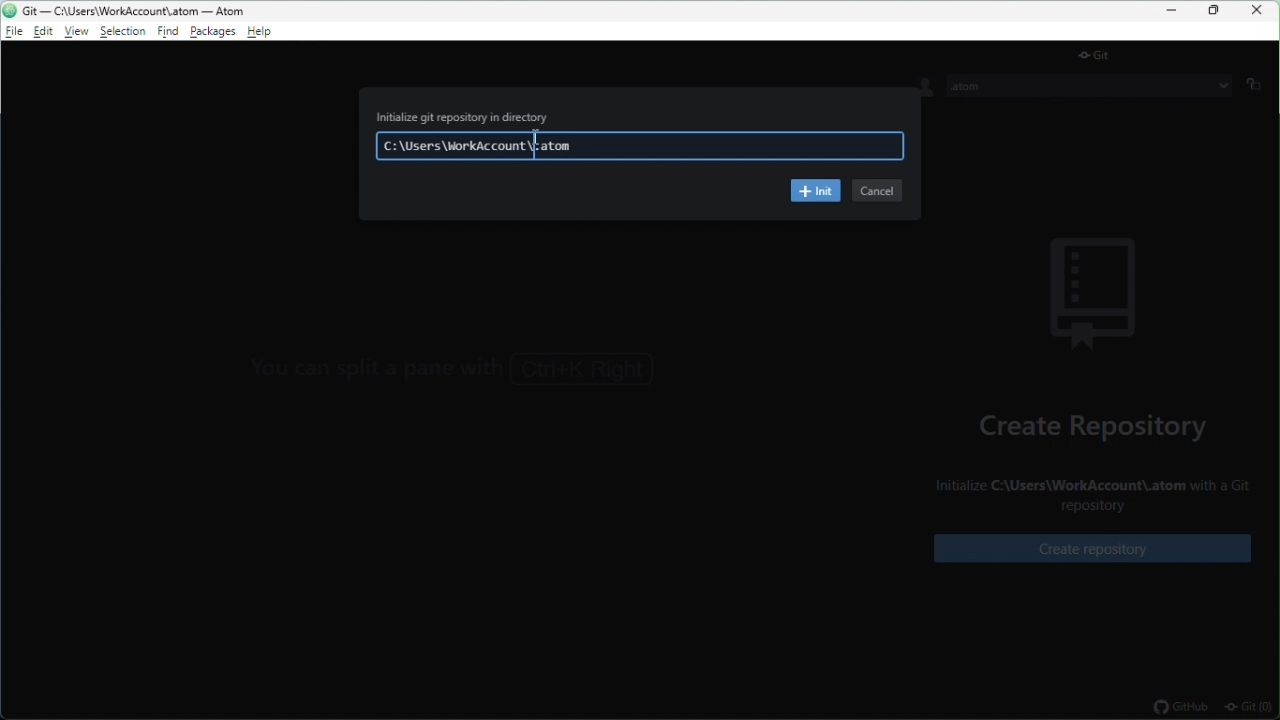  What do you see at coordinates (1100, 292) in the screenshot?
I see `background image` at bounding box center [1100, 292].